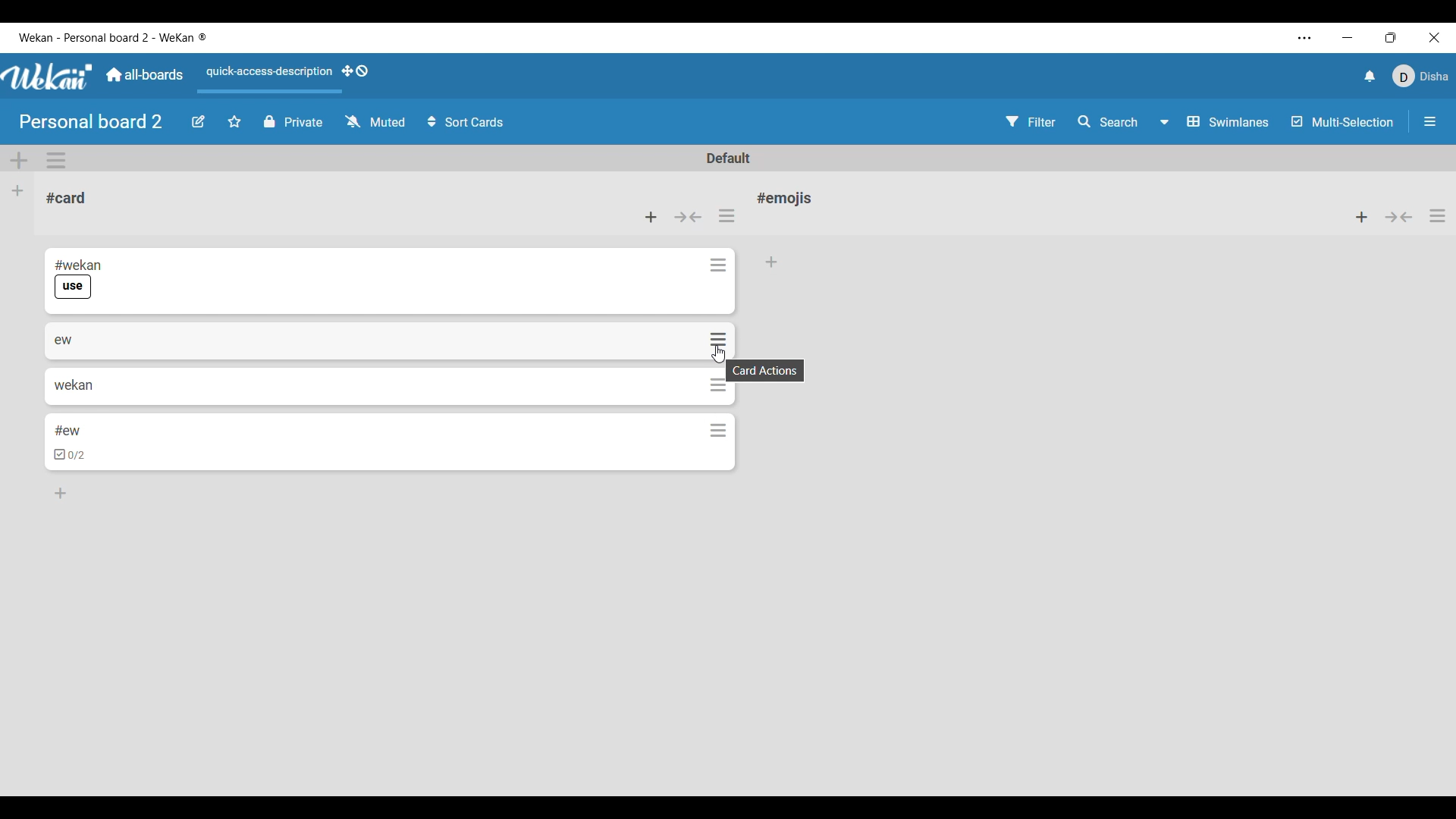 This screenshot has width=1456, height=819. I want to click on Watch options, so click(375, 121).